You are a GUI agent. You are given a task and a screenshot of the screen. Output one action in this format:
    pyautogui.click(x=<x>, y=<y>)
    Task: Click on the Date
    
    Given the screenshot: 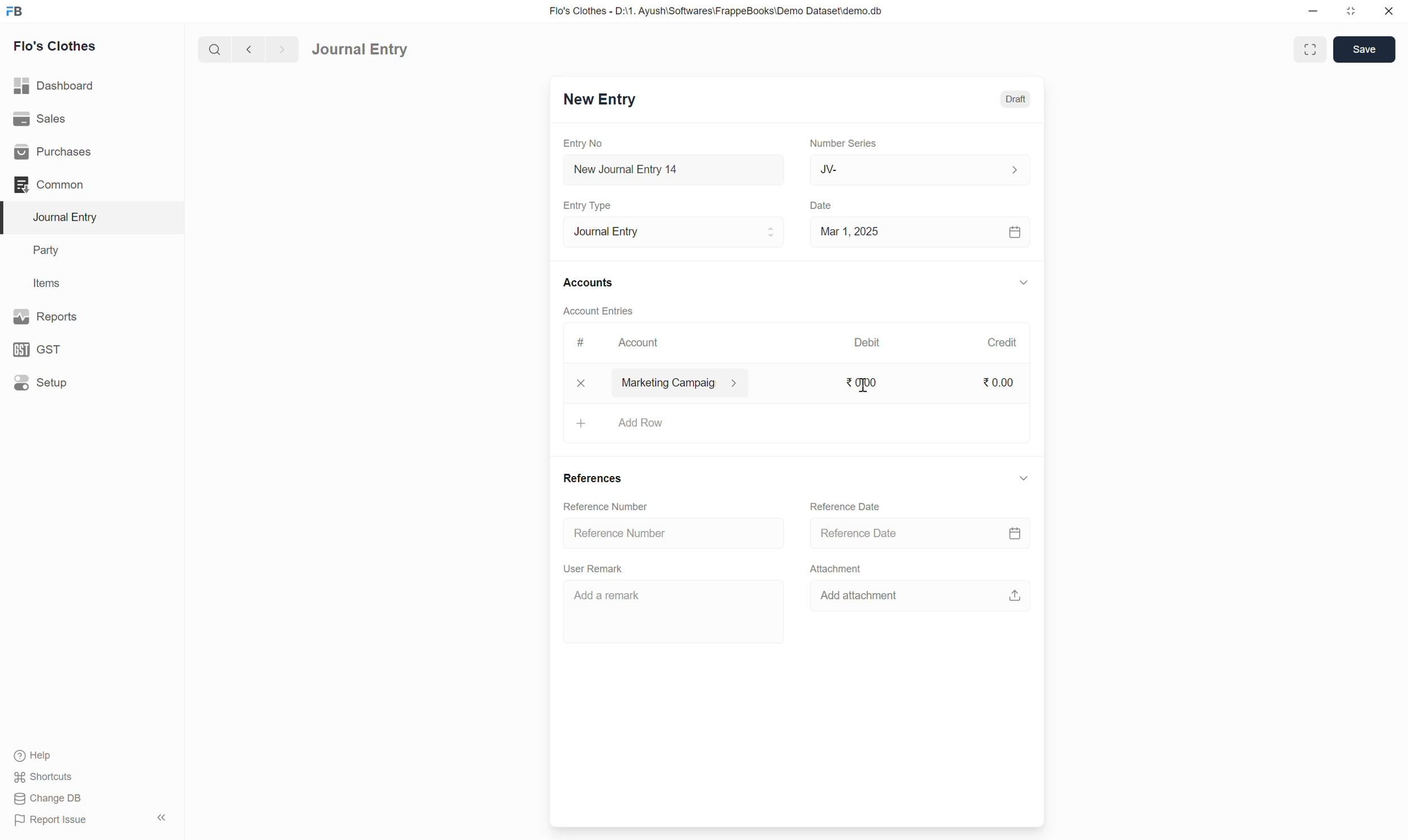 What is the action you would take?
    pyautogui.click(x=824, y=206)
    